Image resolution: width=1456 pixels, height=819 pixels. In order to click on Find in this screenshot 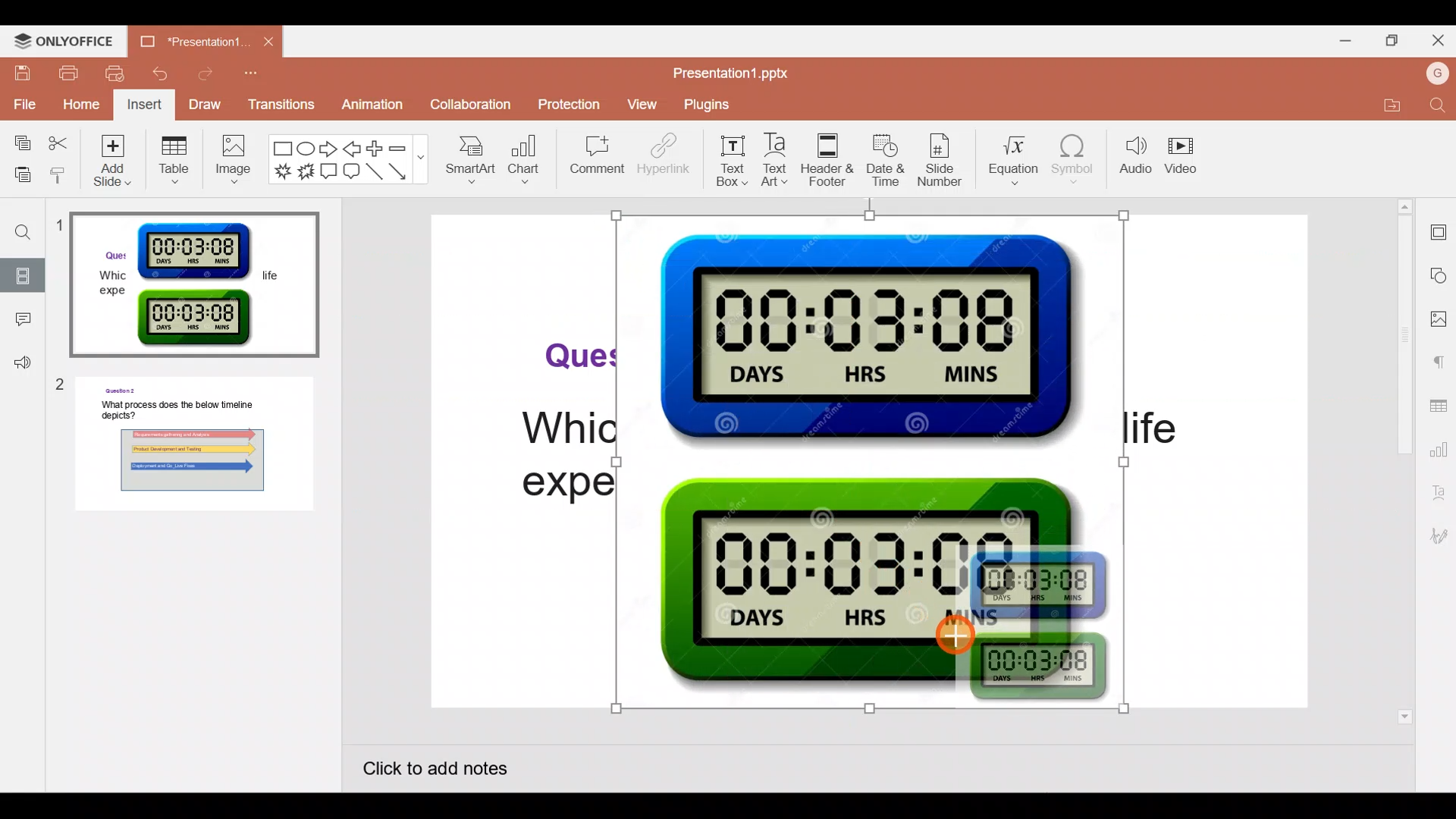, I will do `click(1435, 108)`.